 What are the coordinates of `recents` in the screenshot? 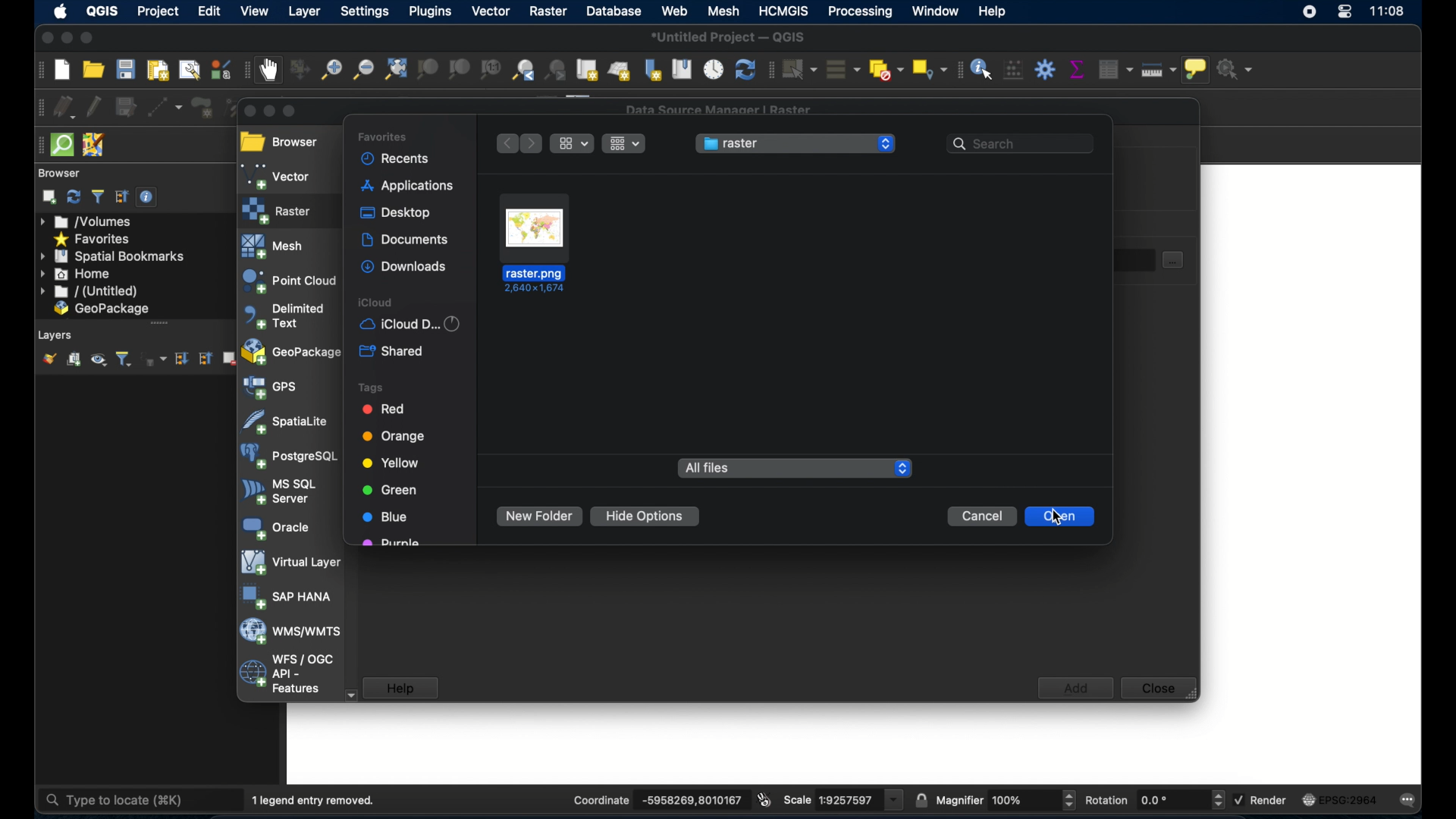 It's located at (395, 158).